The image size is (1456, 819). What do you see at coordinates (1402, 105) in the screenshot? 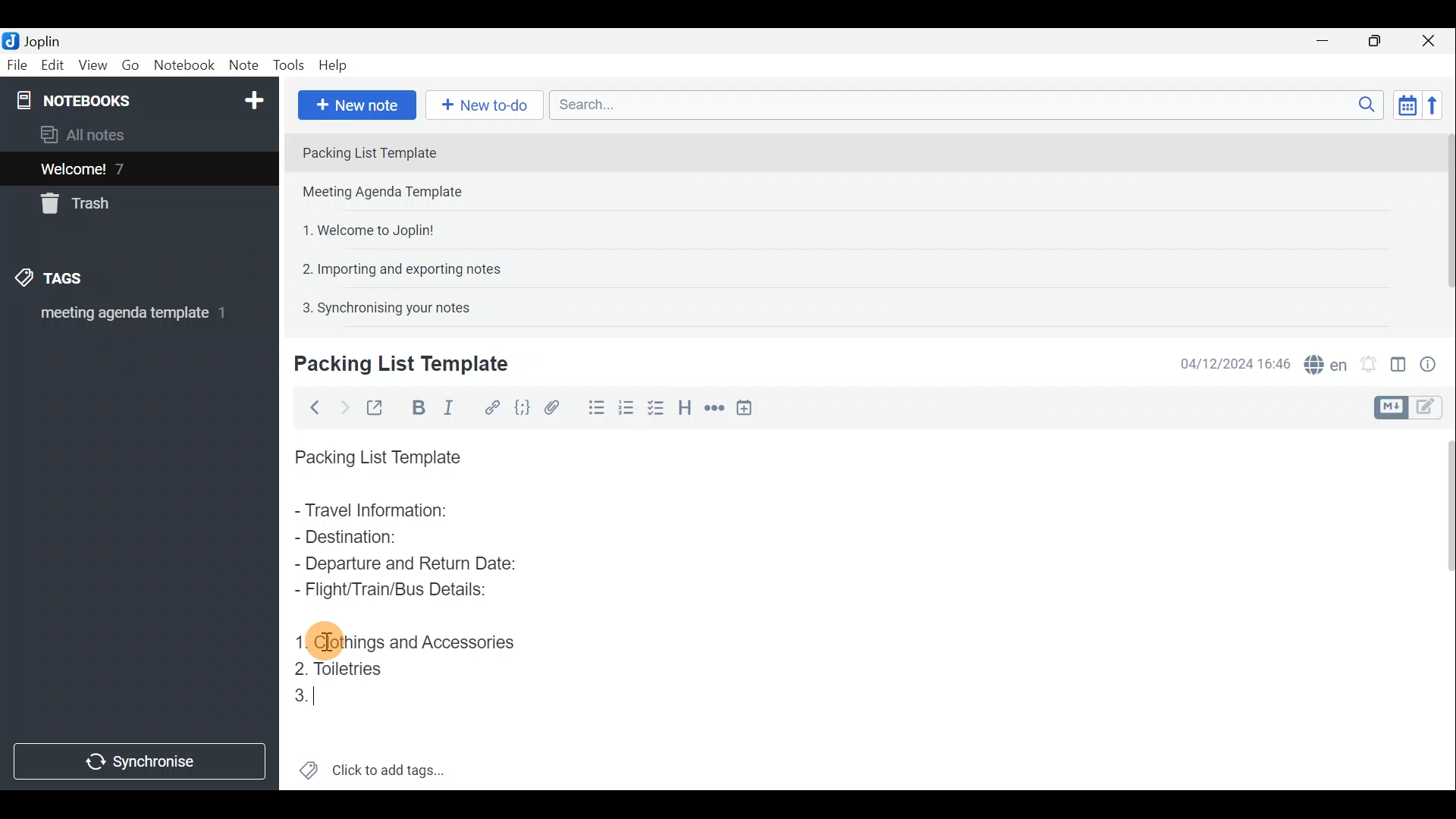
I see `Toggle sort order field` at bounding box center [1402, 105].